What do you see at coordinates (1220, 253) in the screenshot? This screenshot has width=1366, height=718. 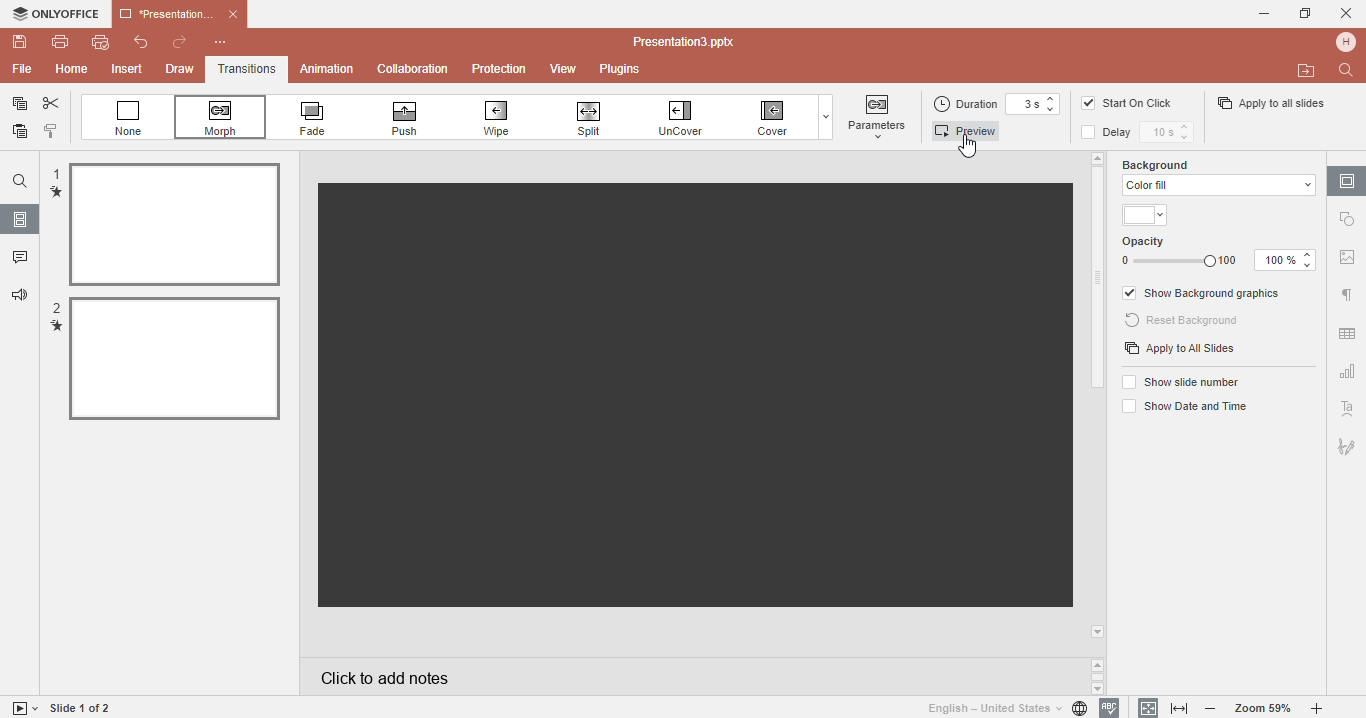 I see `Opacity` at bounding box center [1220, 253].